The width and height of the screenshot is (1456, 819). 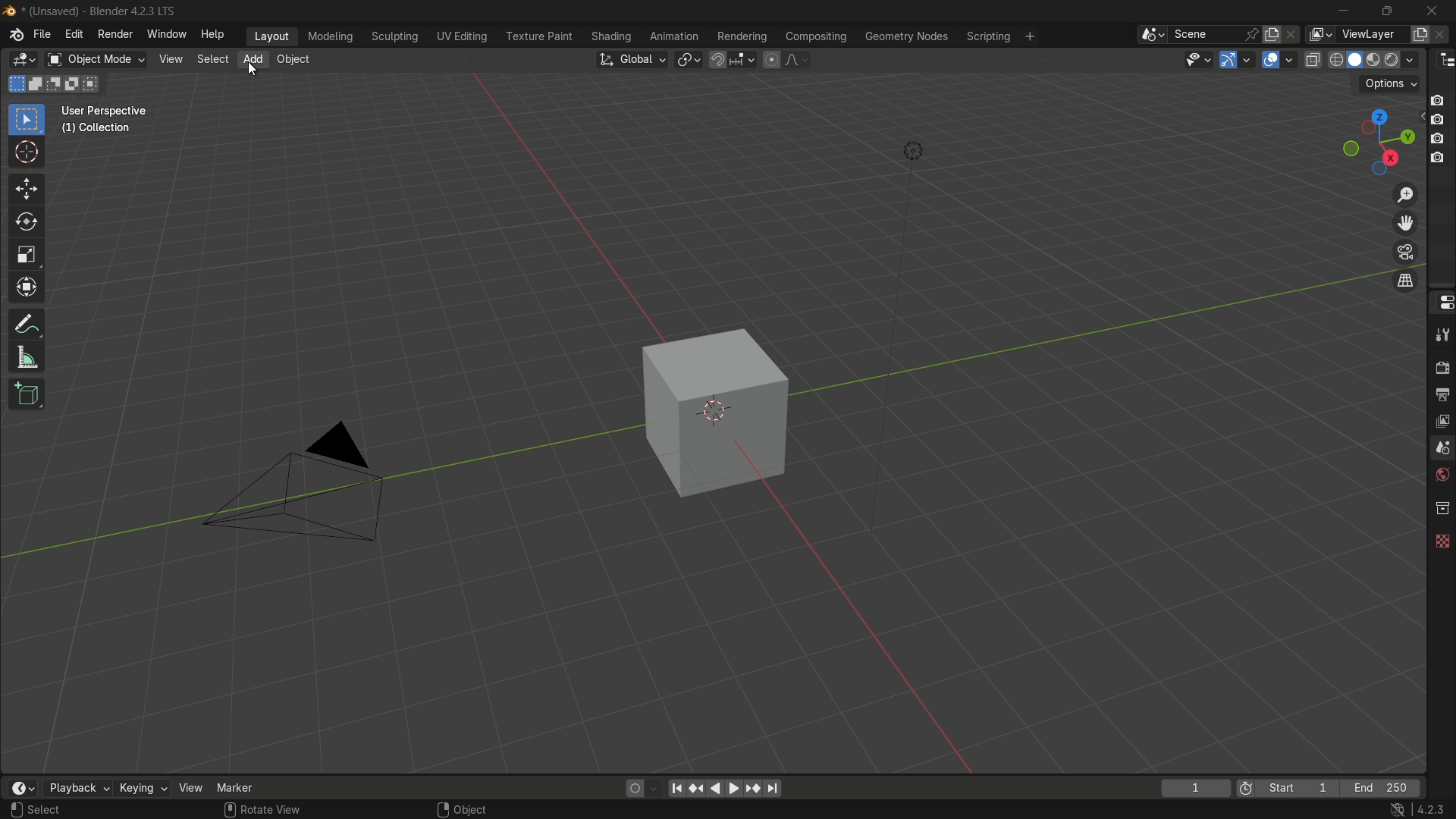 I want to click on zoom in/out, so click(x=1405, y=194).